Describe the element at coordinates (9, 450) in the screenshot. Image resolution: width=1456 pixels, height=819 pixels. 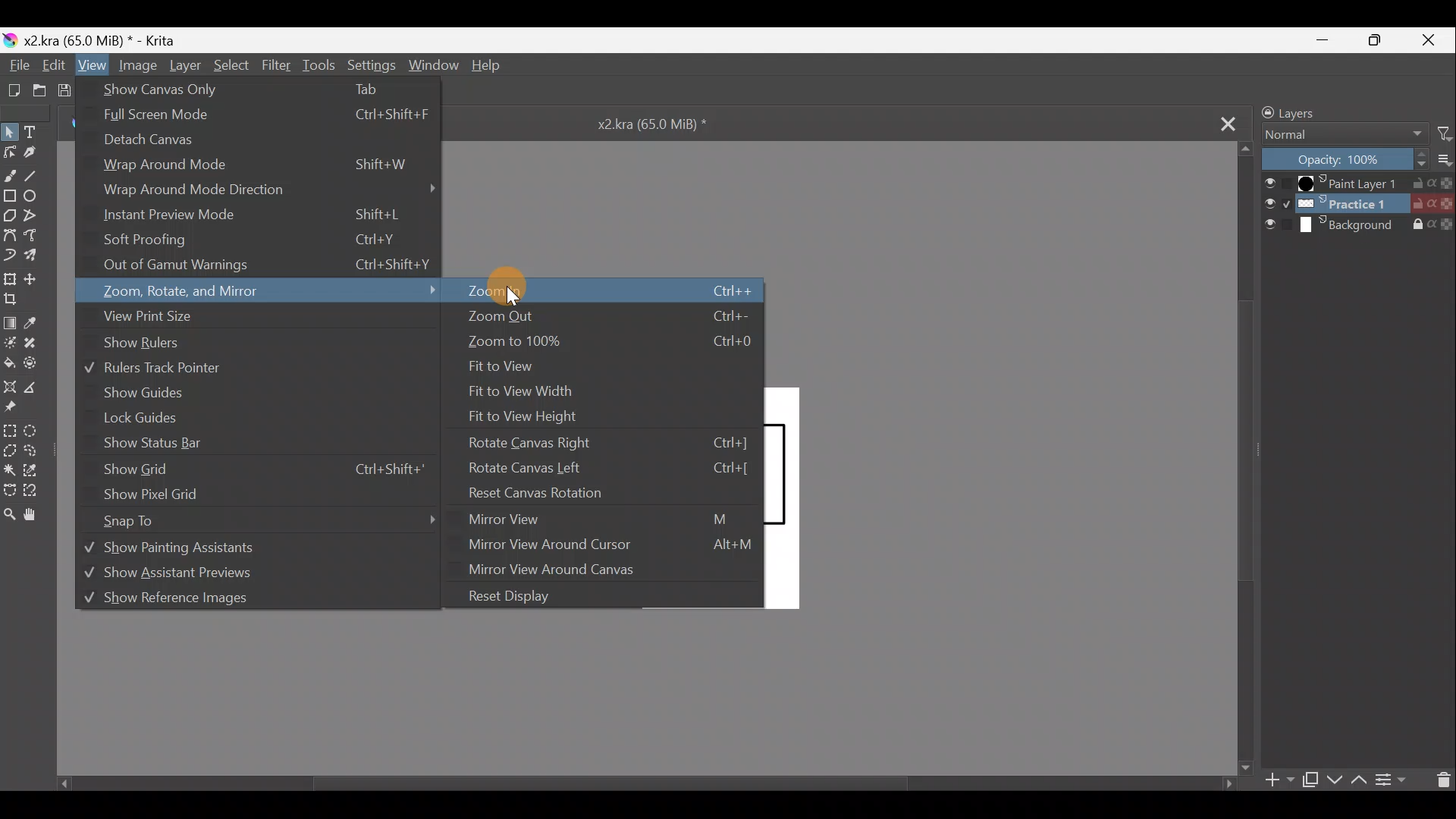
I see `Polygonal selection tool` at that location.